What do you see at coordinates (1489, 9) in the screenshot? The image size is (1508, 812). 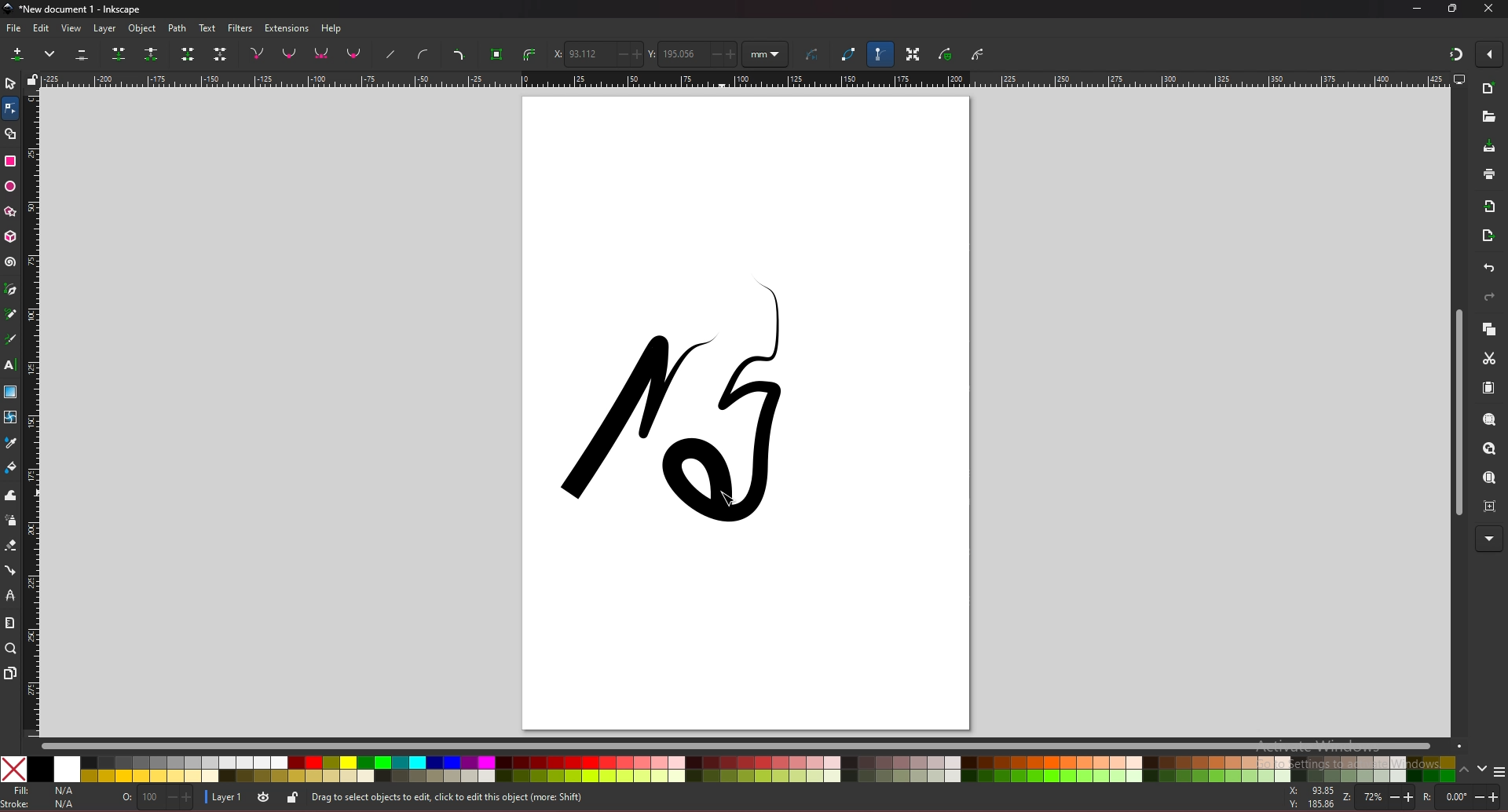 I see `close` at bounding box center [1489, 9].